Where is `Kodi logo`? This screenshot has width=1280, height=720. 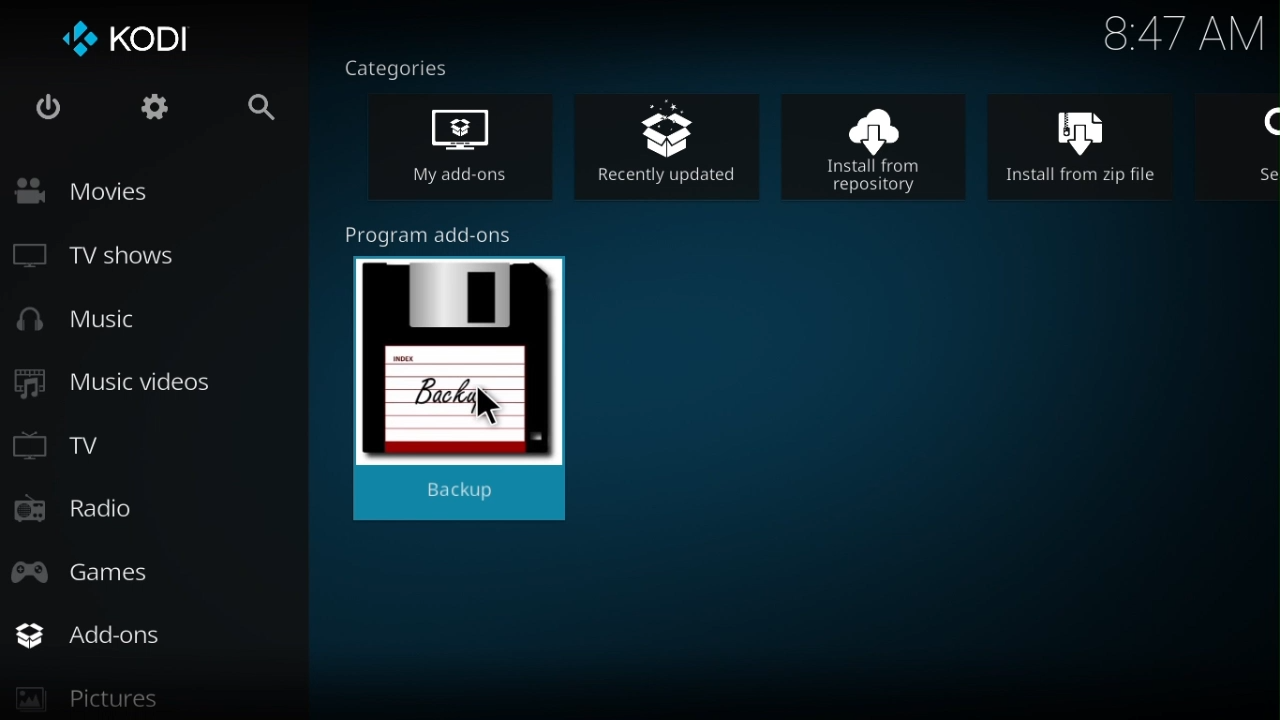
Kodi logo is located at coordinates (129, 42).